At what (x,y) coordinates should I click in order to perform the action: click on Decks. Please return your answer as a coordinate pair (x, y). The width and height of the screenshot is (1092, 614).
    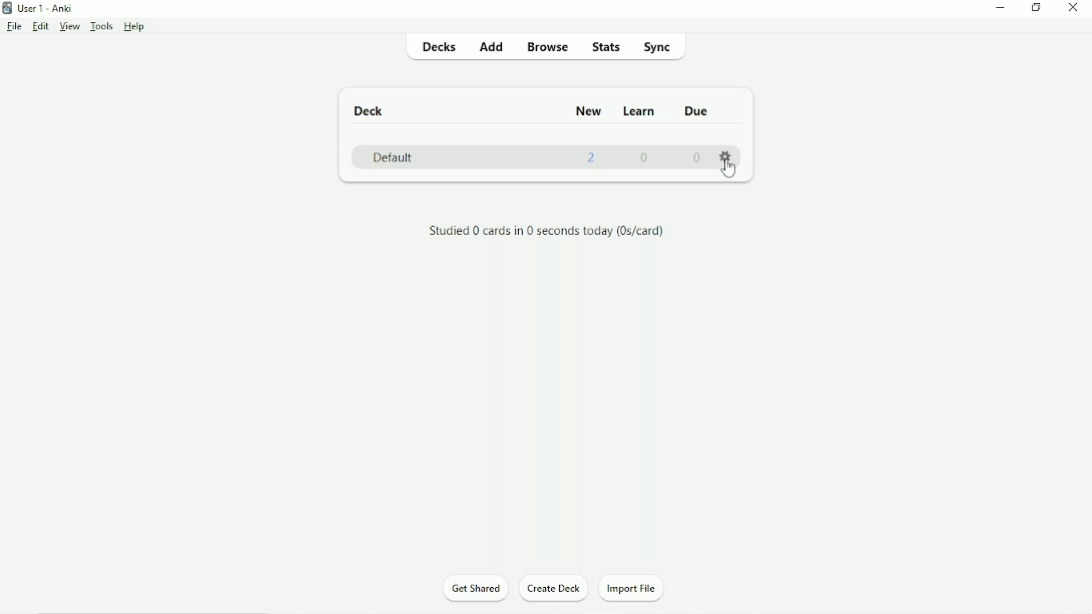
    Looking at the image, I should click on (437, 48).